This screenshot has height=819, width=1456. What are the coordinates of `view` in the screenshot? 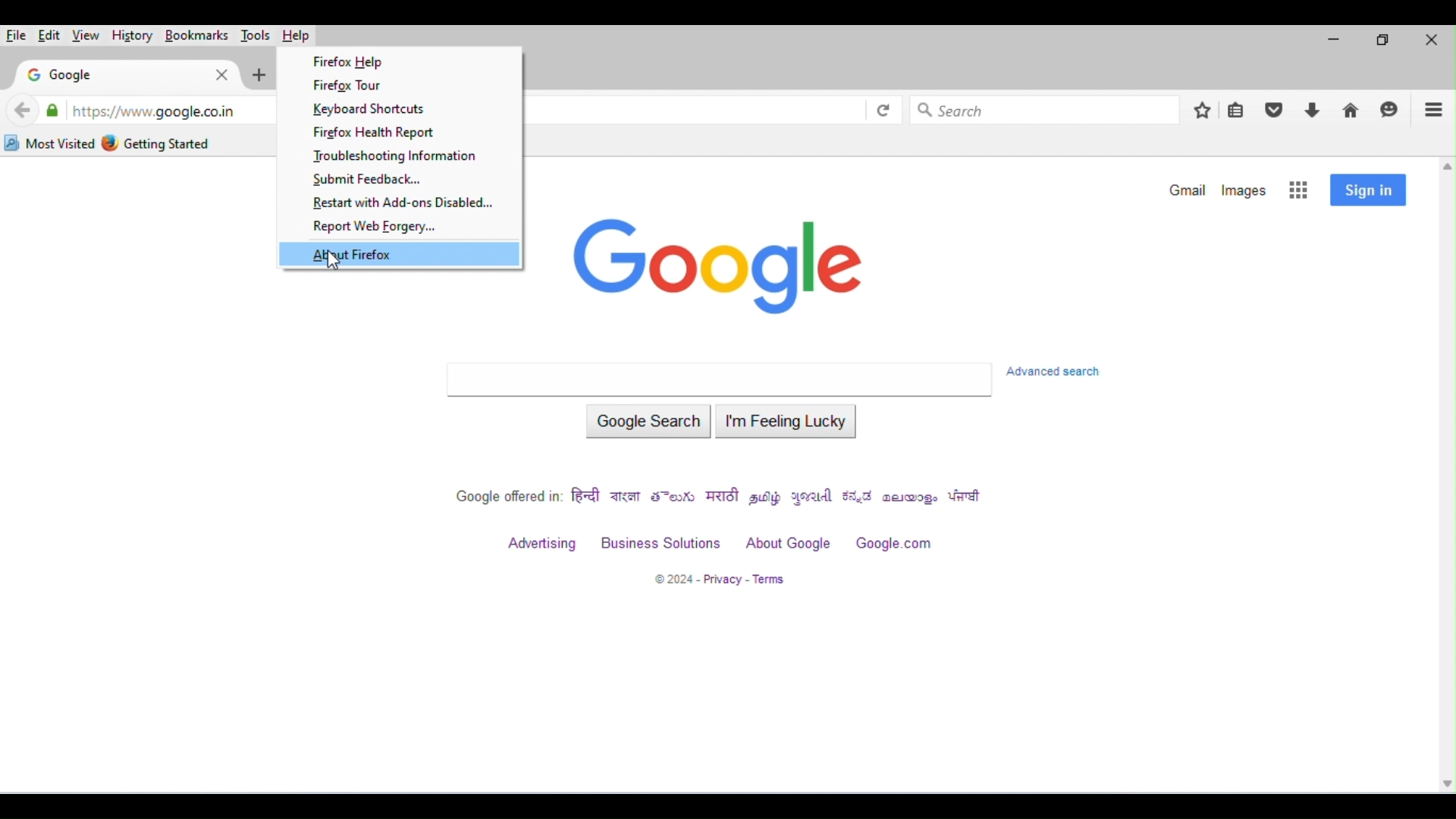 It's located at (85, 36).